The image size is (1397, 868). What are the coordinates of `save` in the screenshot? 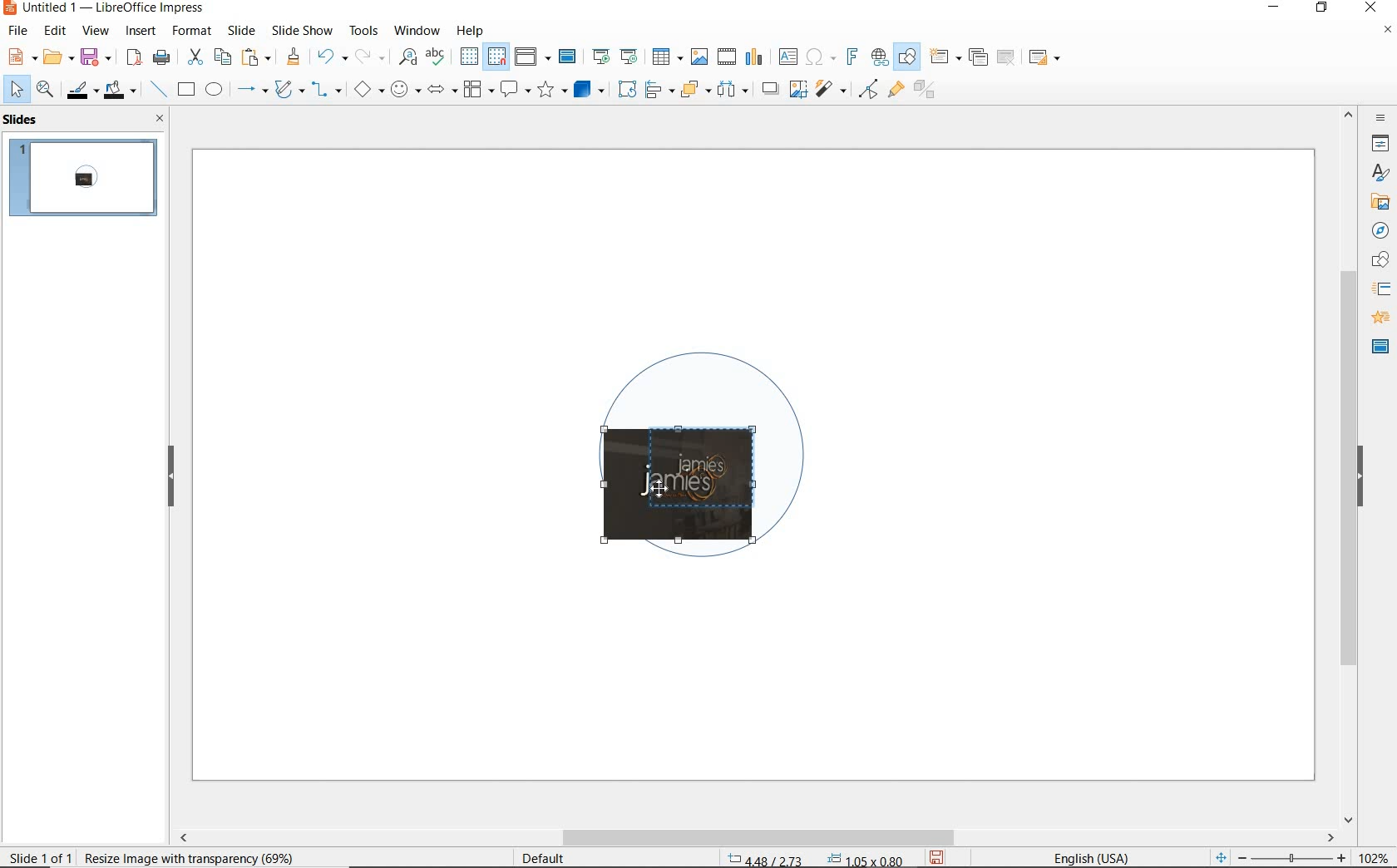 It's located at (938, 856).